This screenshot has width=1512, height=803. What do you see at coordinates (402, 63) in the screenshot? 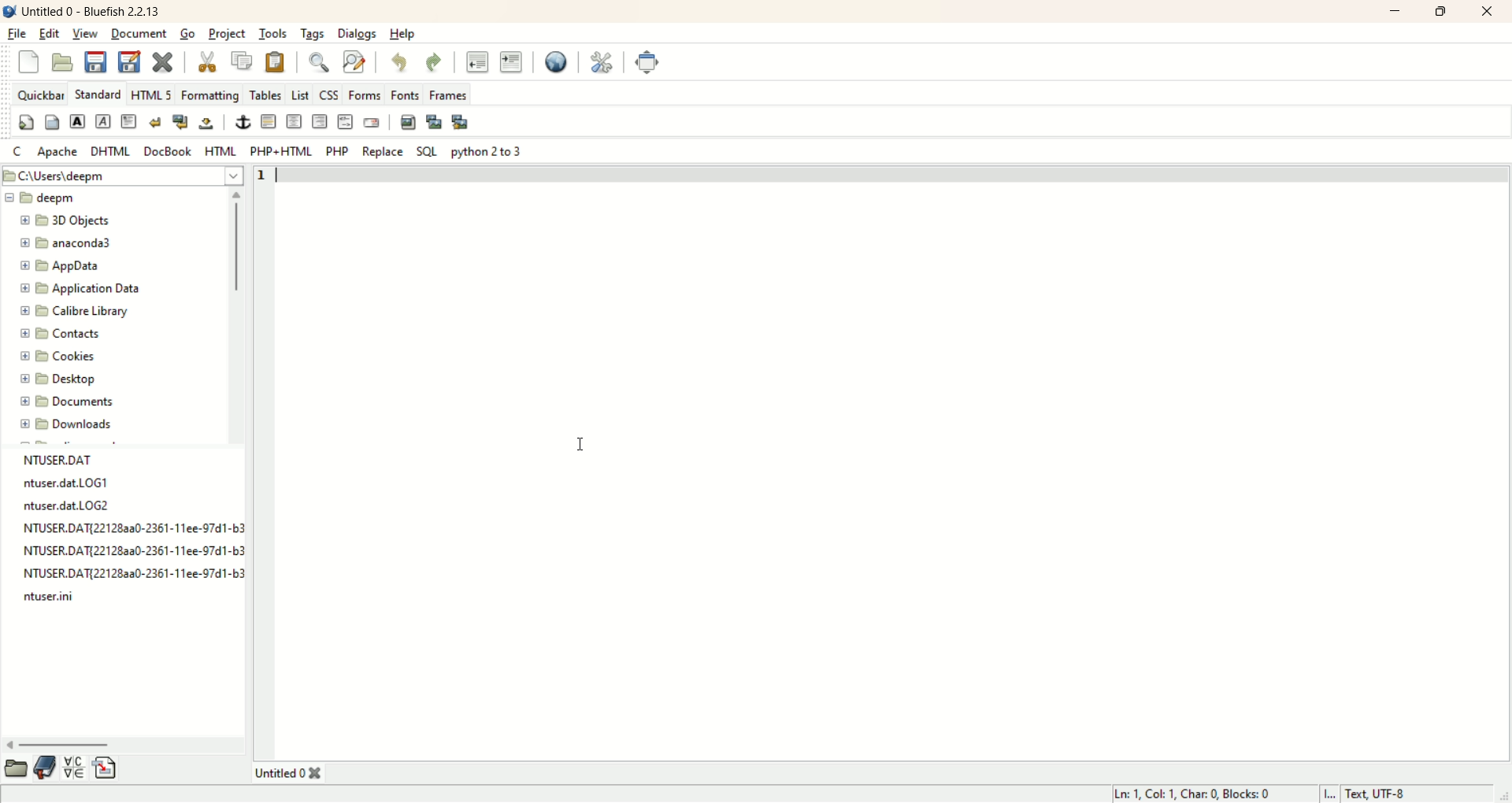
I see `undo` at bounding box center [402, 63].